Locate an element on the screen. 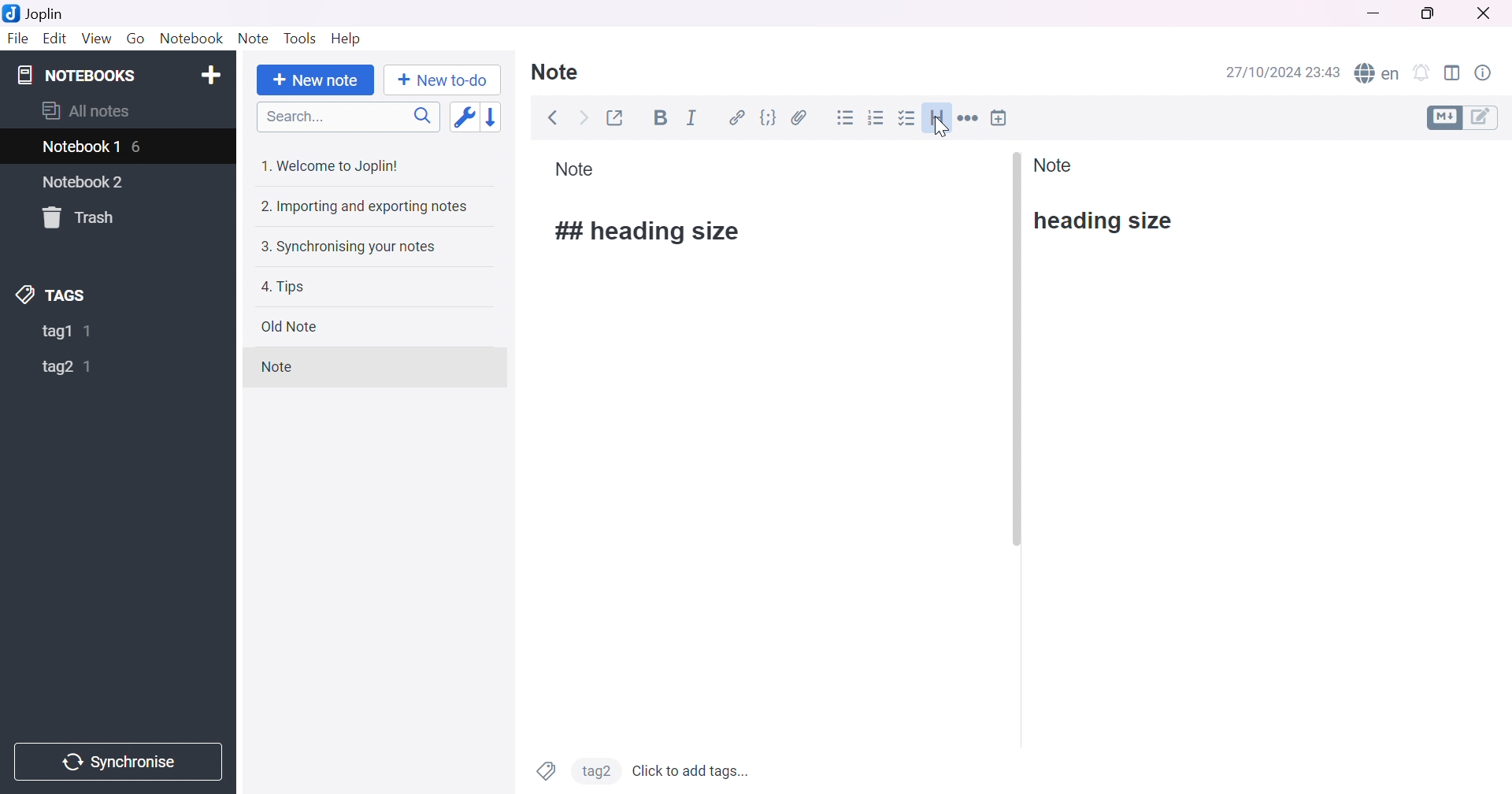 Image resolution: width=1512 pixels, height=794 pixels. jolplin  is located at coordinates (54, 14).